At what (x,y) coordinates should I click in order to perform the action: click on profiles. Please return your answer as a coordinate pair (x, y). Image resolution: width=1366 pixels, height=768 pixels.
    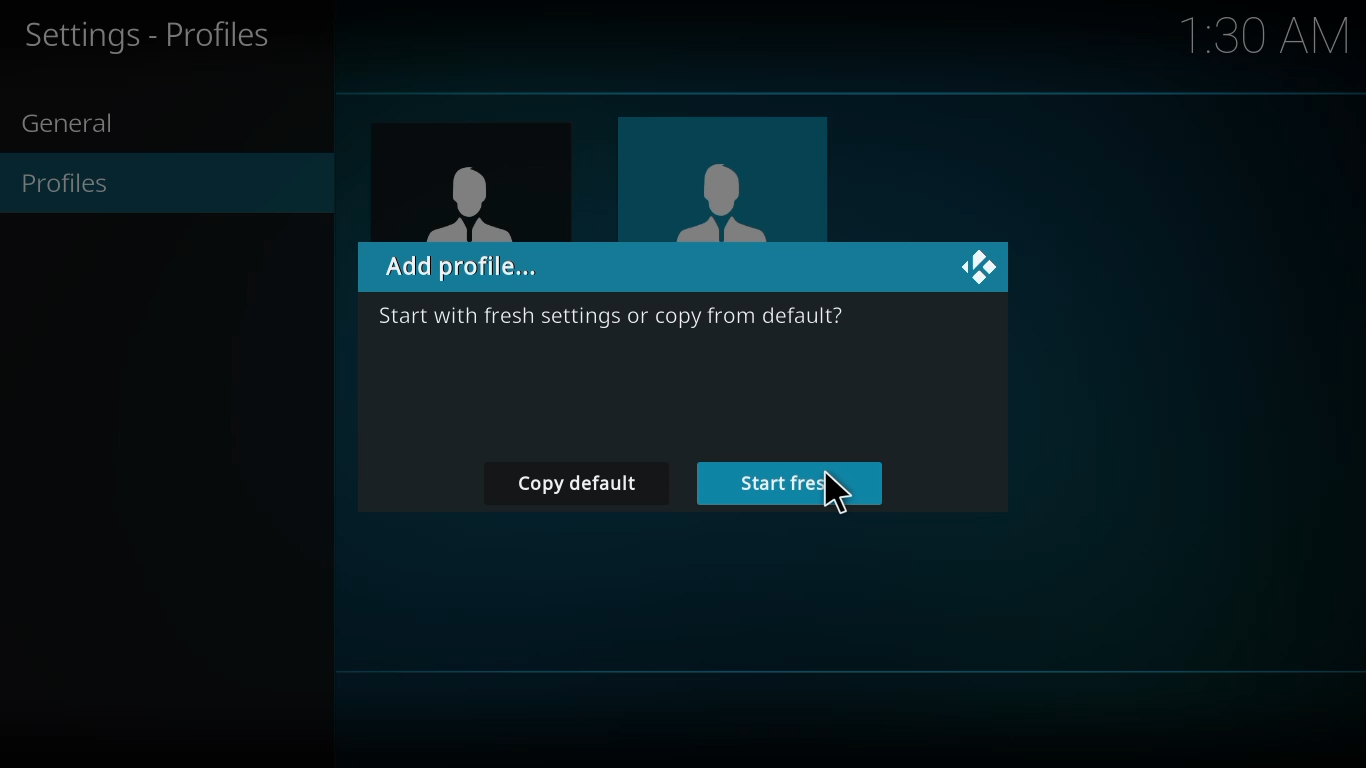
    Looking at the image, I should click on (77, 183).